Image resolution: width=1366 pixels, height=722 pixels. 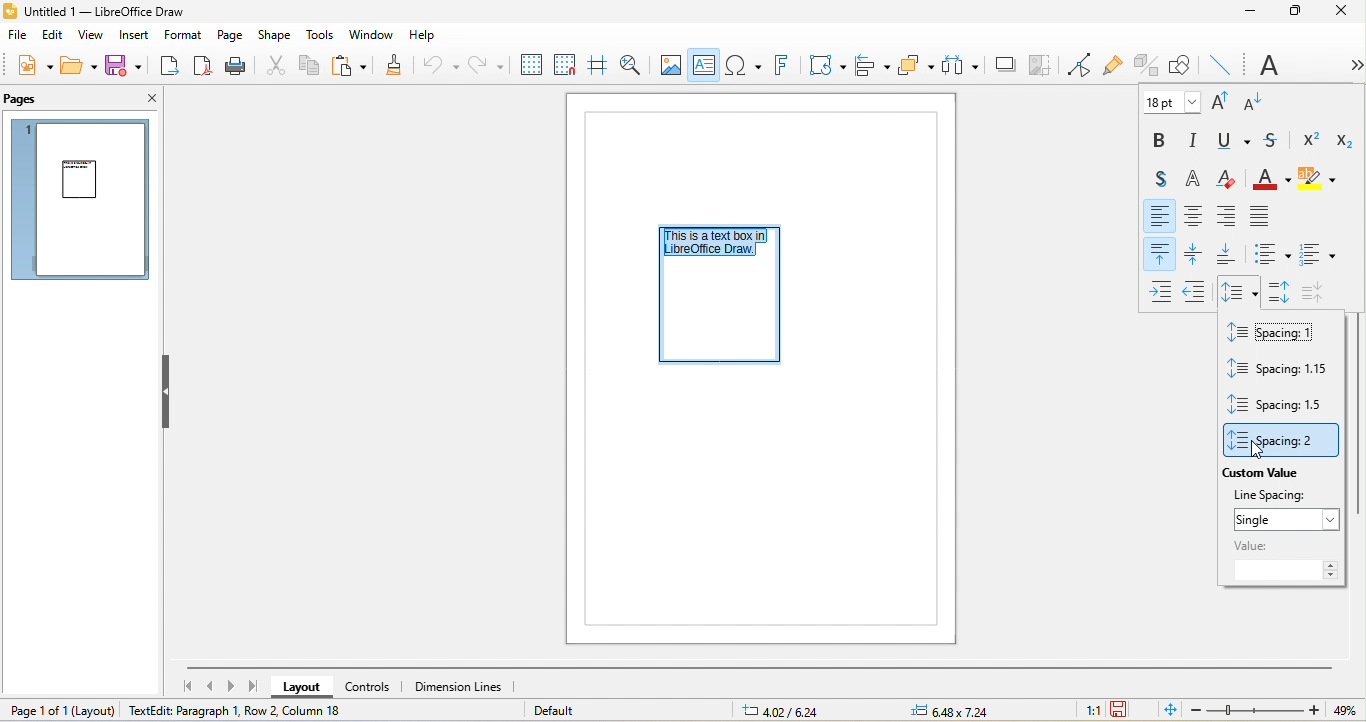 What do you see at coordinates (871, 67) in the screenshot?
I see `align object` at bounding box center [871, 67].